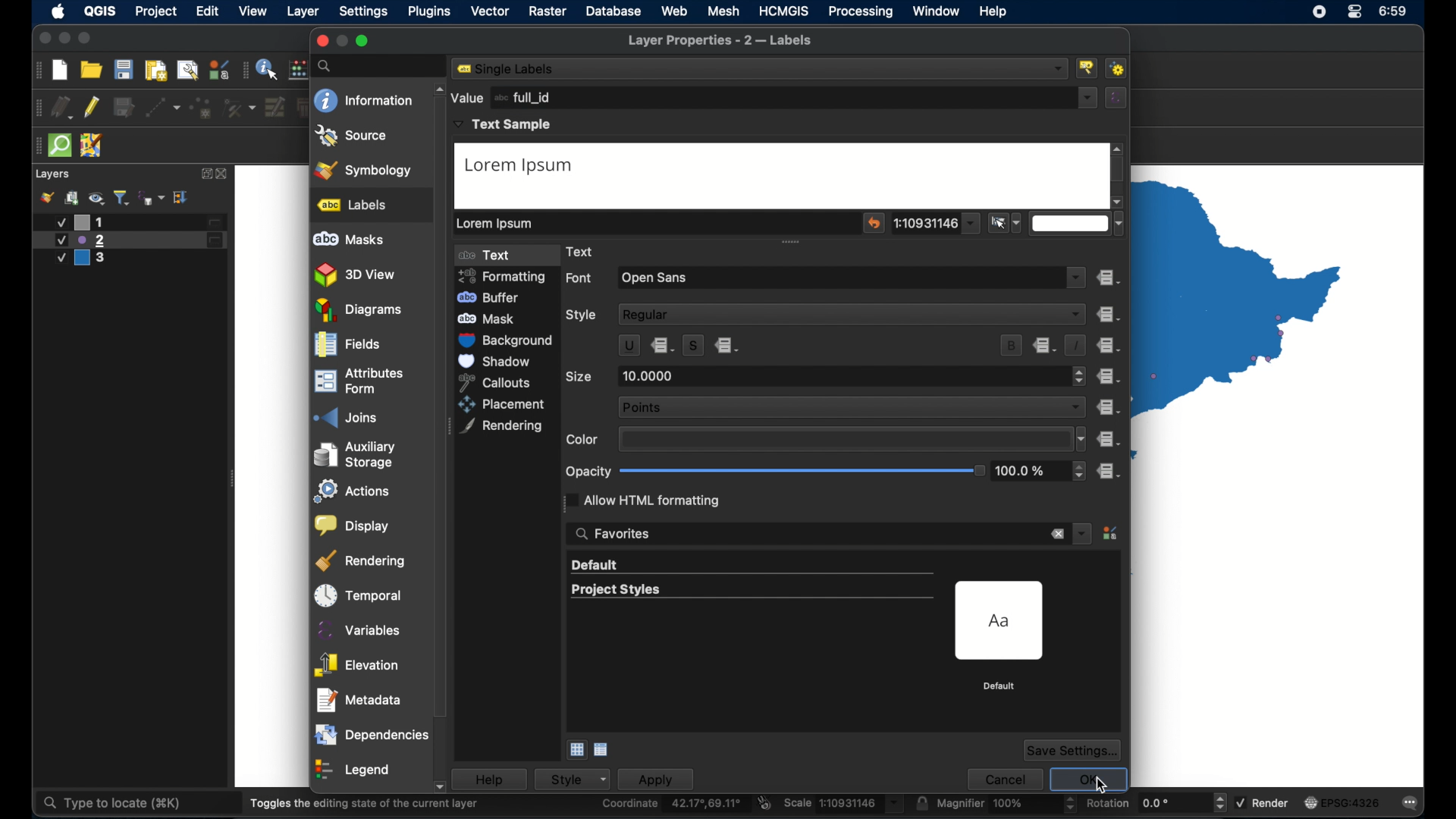 Image resolution: width=1456 pixels, height=819 pixels. Describe the element at coordinates (1102, 786) in the screenshot. I see `cursor` at that location.